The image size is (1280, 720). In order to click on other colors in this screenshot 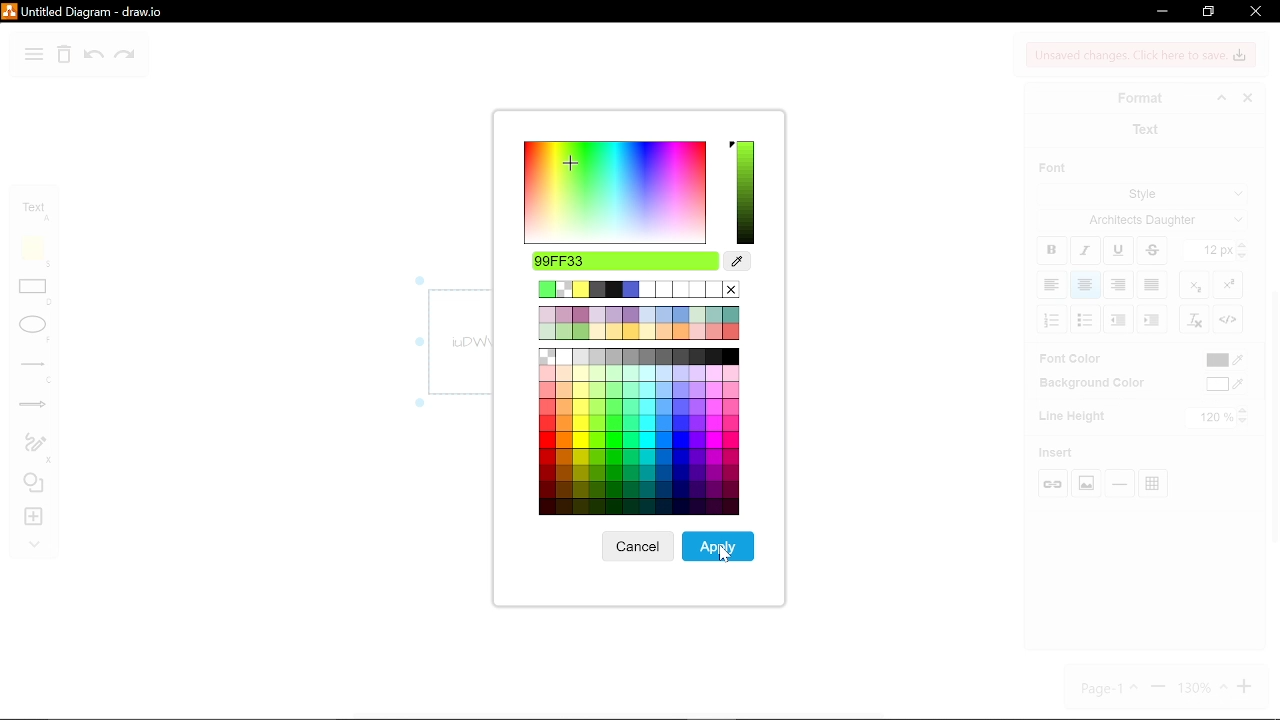, I will do `click(640, 323)`.